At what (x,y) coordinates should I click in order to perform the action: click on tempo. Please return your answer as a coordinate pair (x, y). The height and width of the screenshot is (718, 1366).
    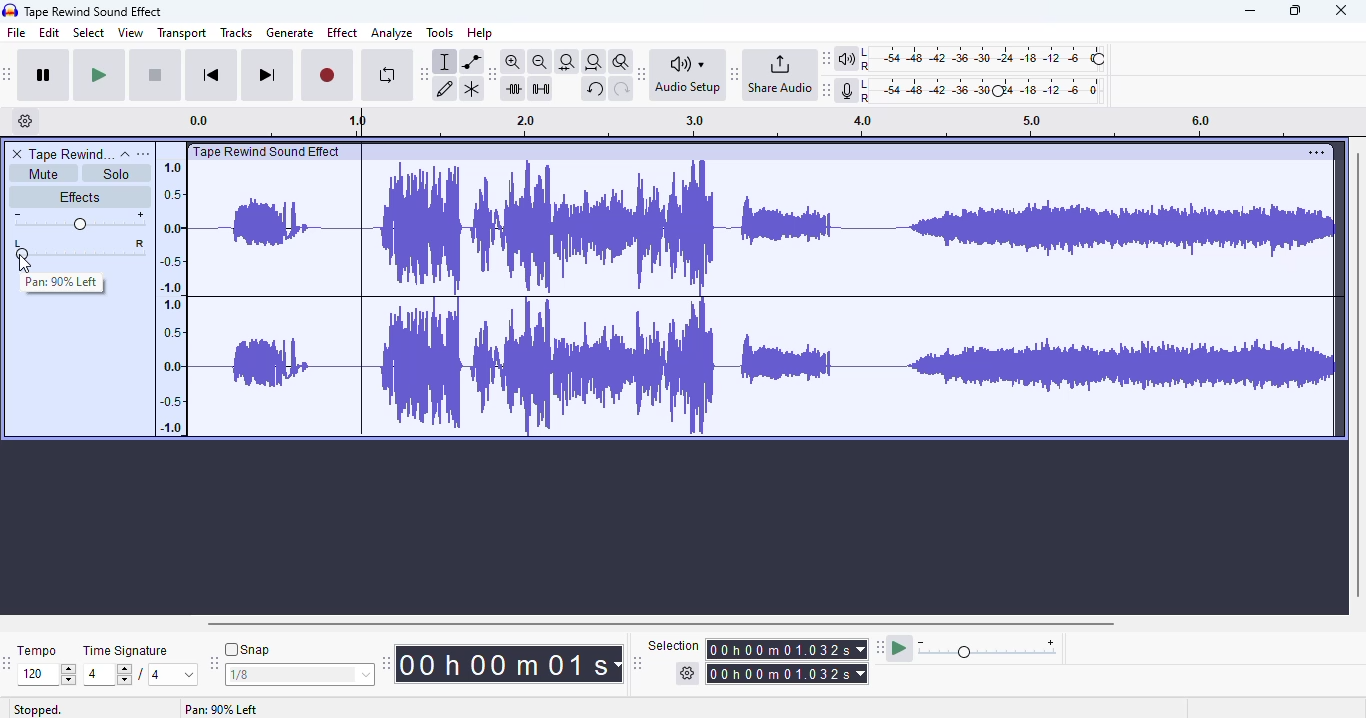
    Looking at the image, I should click on (36, 650).